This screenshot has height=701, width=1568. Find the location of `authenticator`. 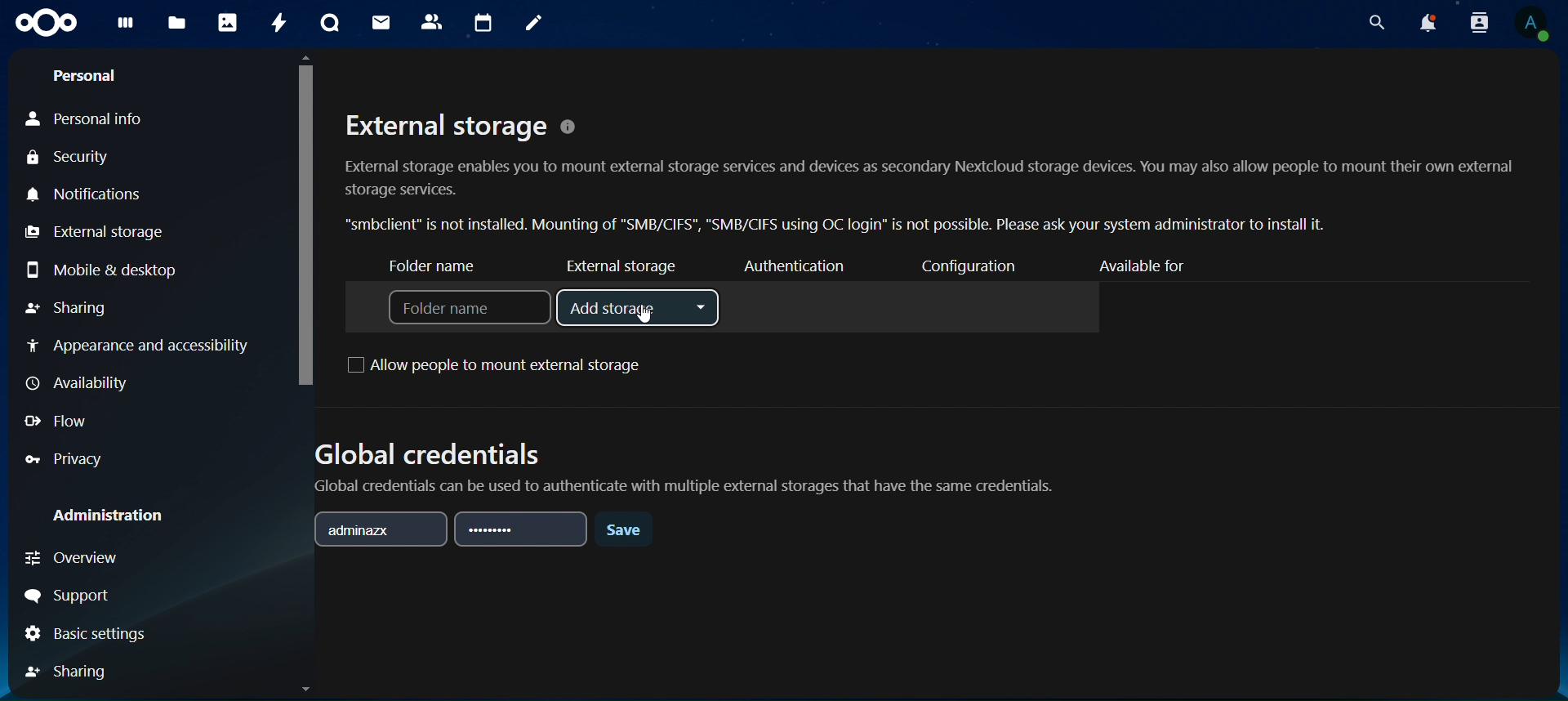

authenticator is located at coordinates (793, 266).